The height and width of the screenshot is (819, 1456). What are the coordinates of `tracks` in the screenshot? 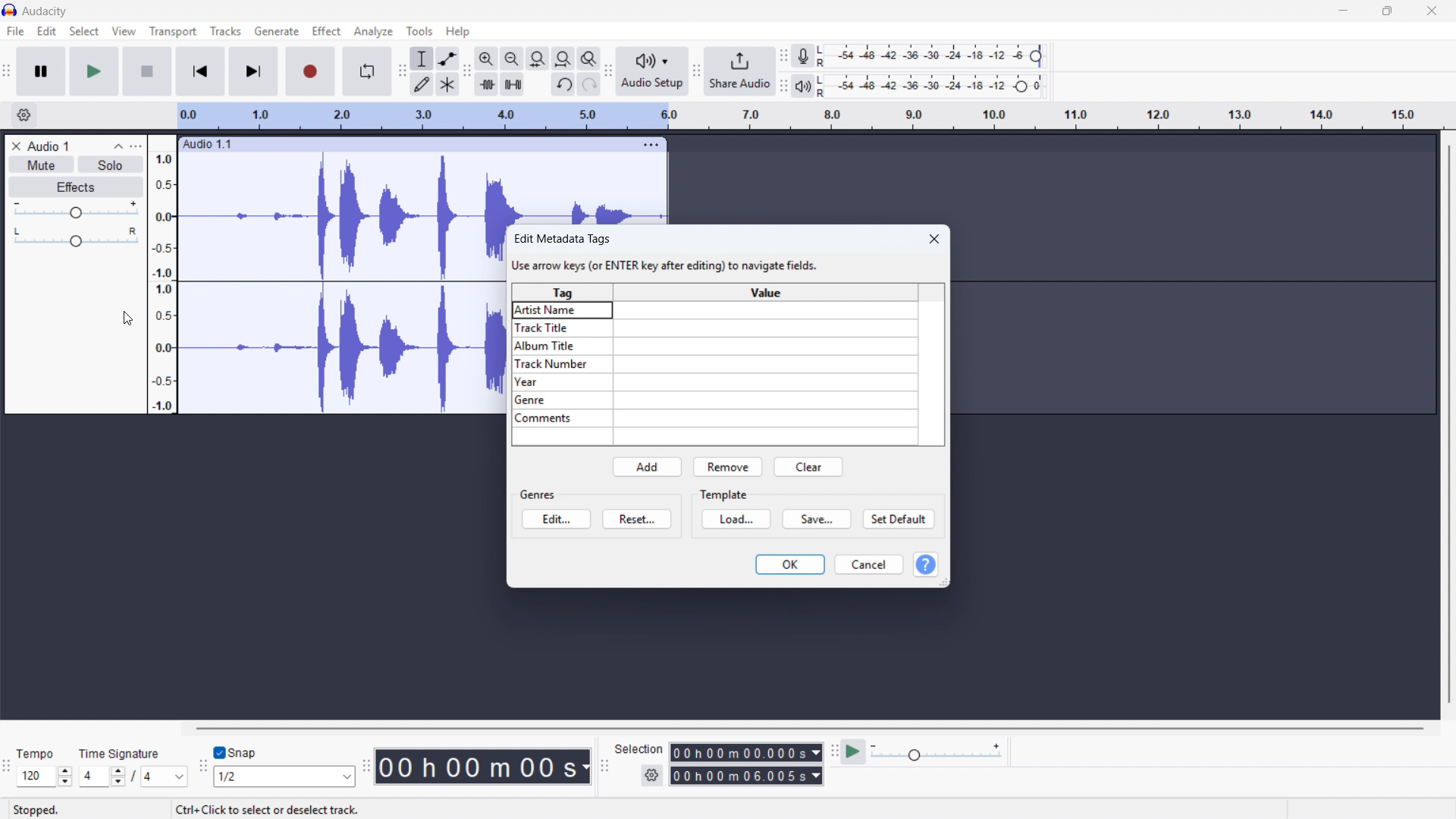 It's located at (226, 31).